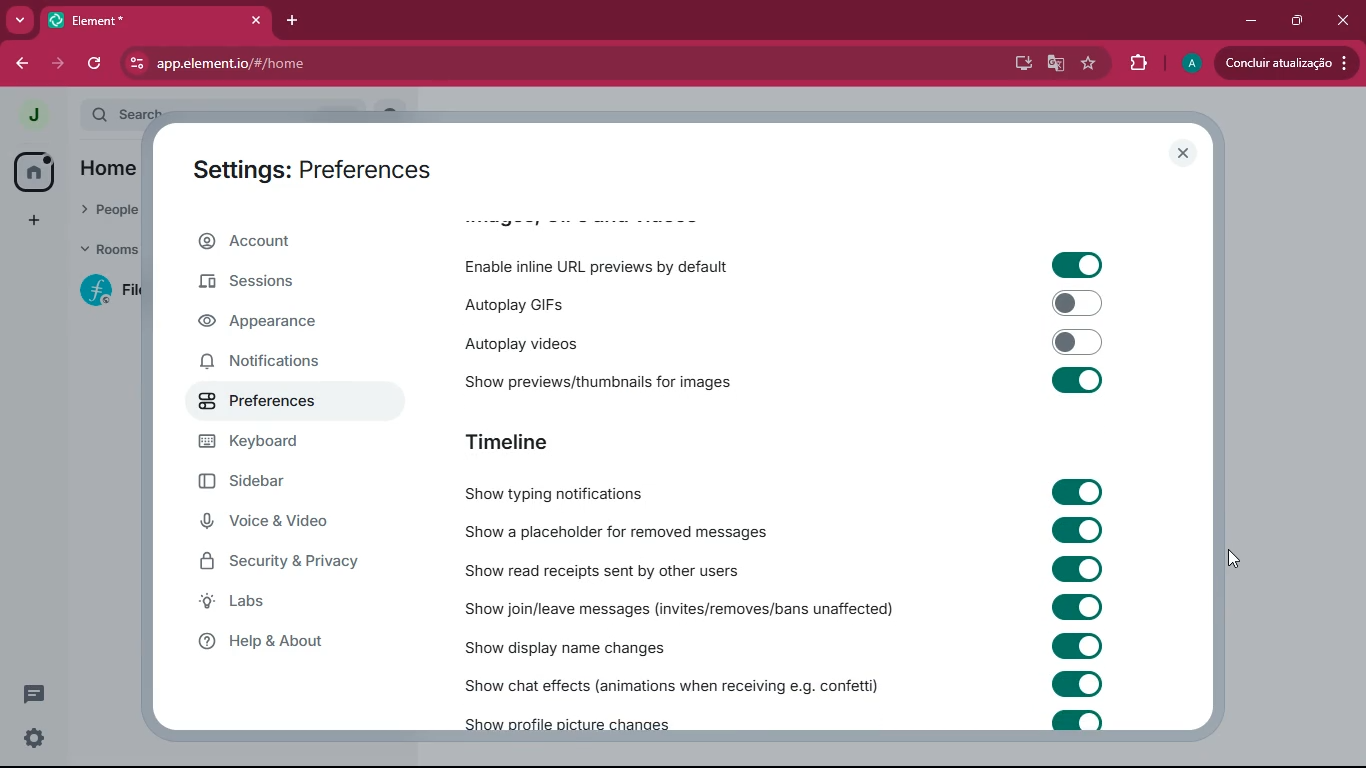  Describe the element at coordinates (1077, 303) in the screenshot. I see `toggle on/off` at that location.